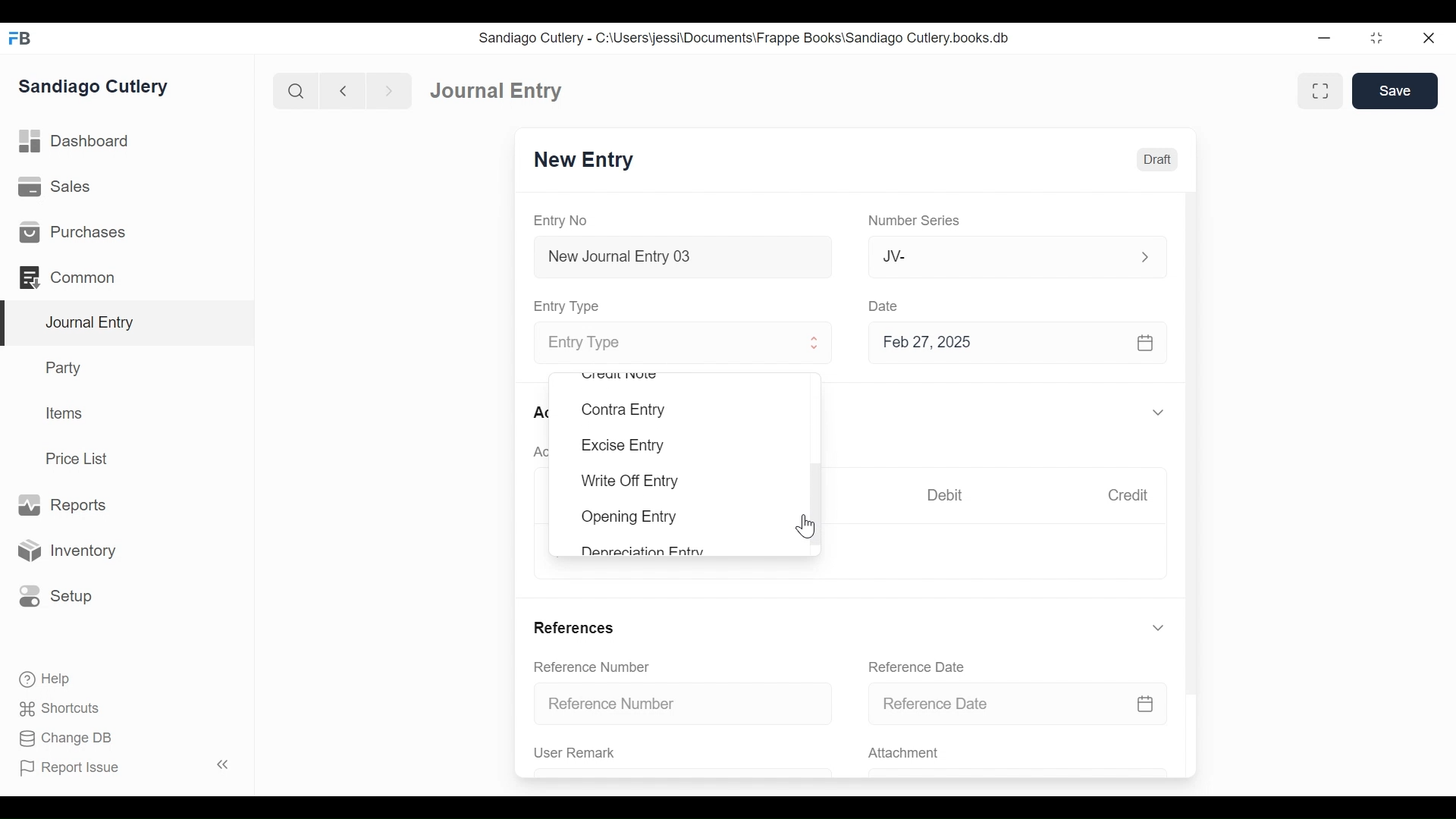  I want to click on Items, so click(62, 413).